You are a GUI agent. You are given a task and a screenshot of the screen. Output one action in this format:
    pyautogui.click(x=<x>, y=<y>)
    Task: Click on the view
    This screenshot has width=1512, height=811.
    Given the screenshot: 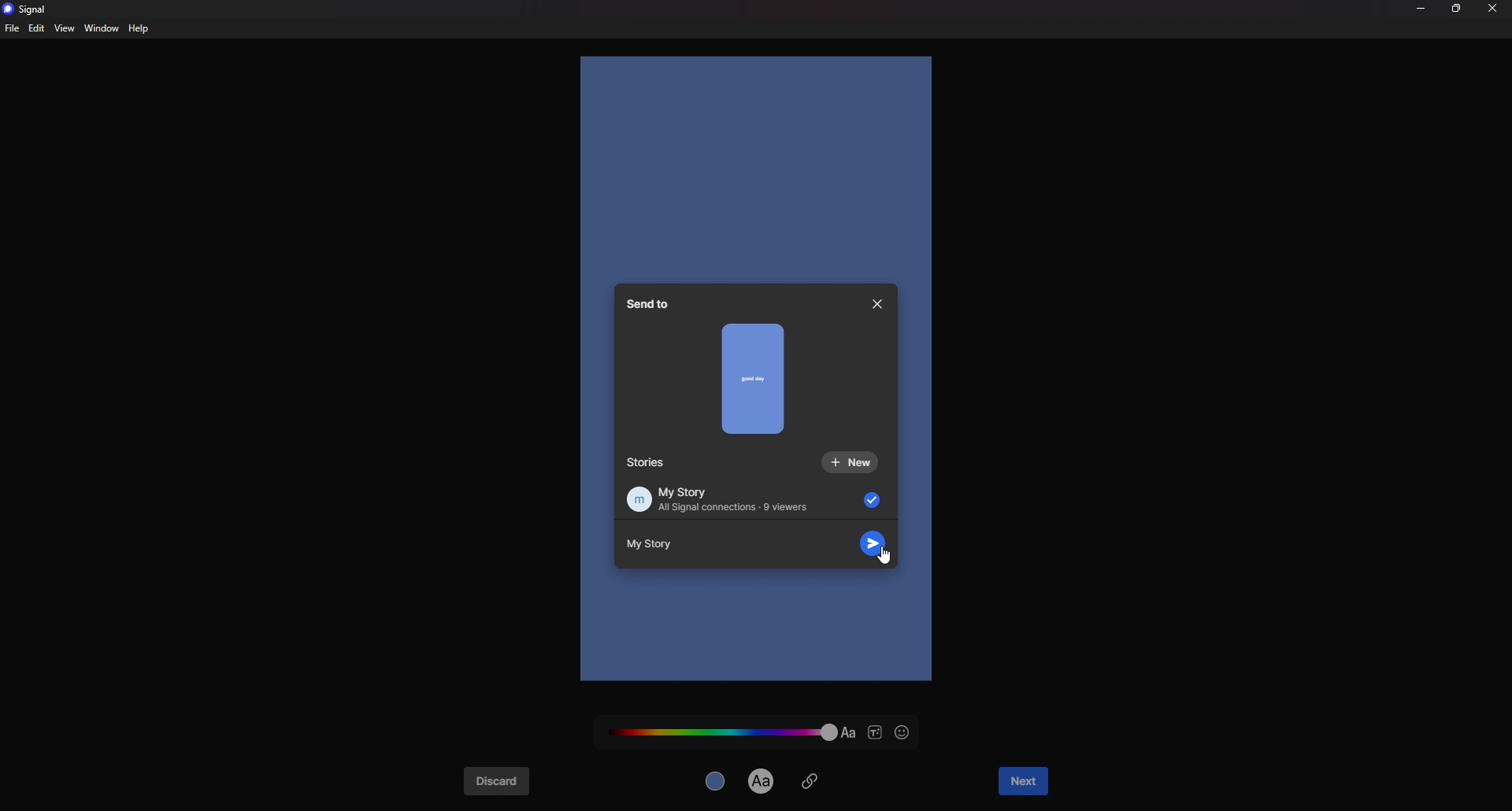 What is the action you would take?
    pyautogui.click(x=64, y=28)
    